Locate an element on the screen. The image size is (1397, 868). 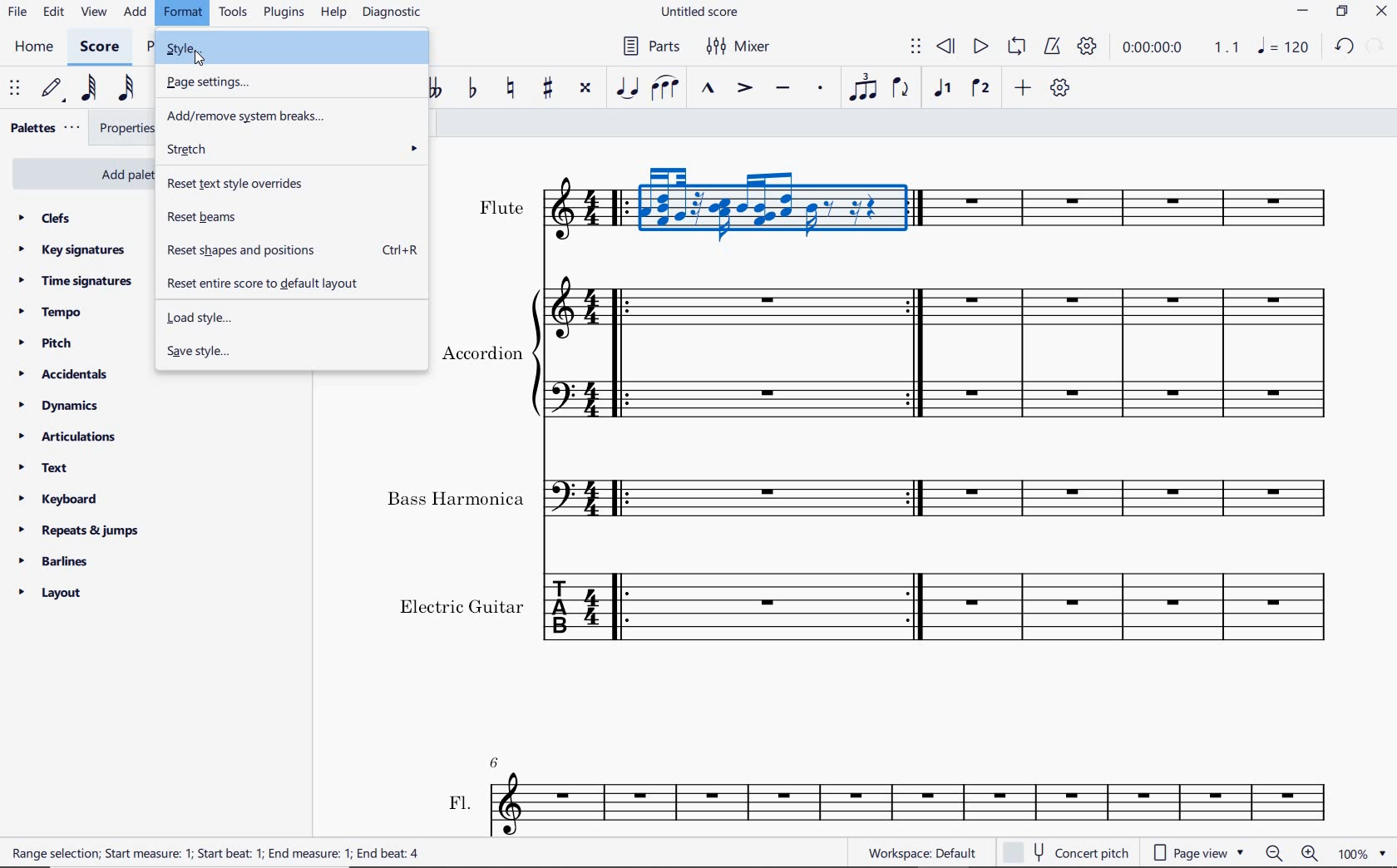
zoom in or zoom out is located at coordinates (1296, 853).